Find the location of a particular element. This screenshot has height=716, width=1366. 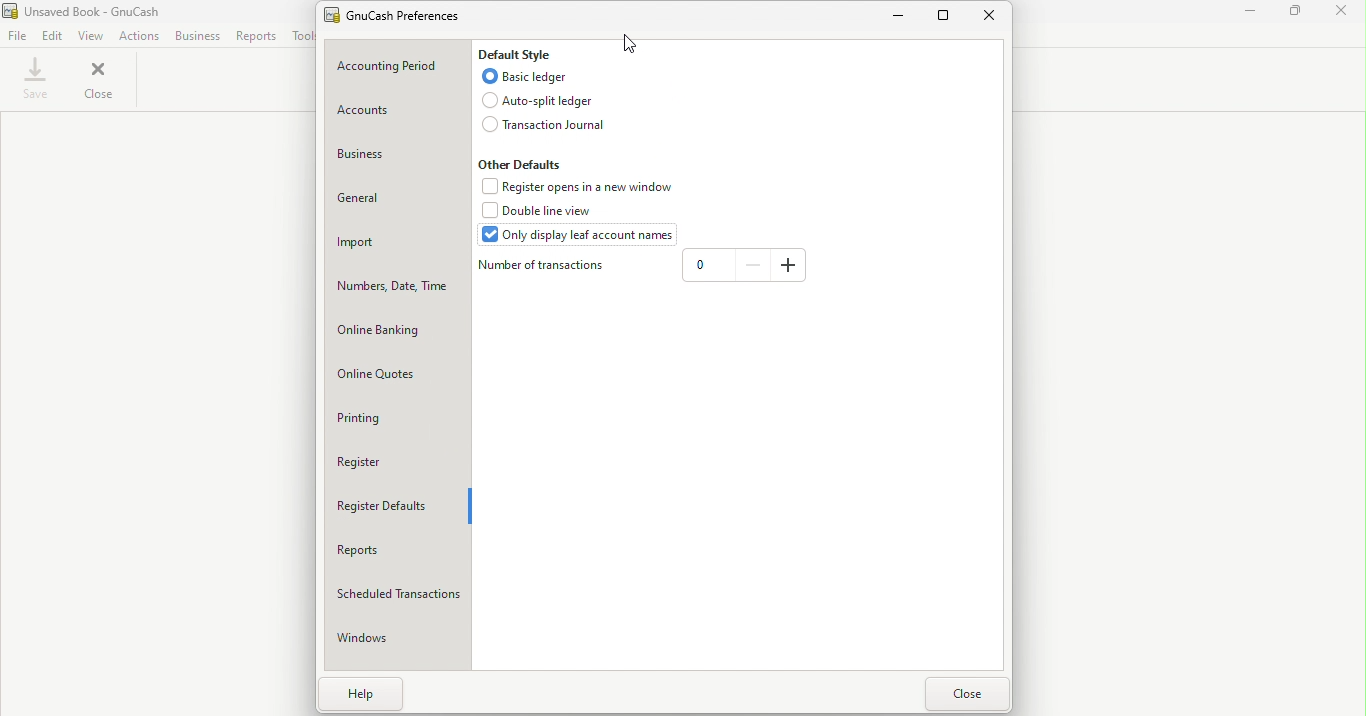

Help is located at coordinates (374, 695).